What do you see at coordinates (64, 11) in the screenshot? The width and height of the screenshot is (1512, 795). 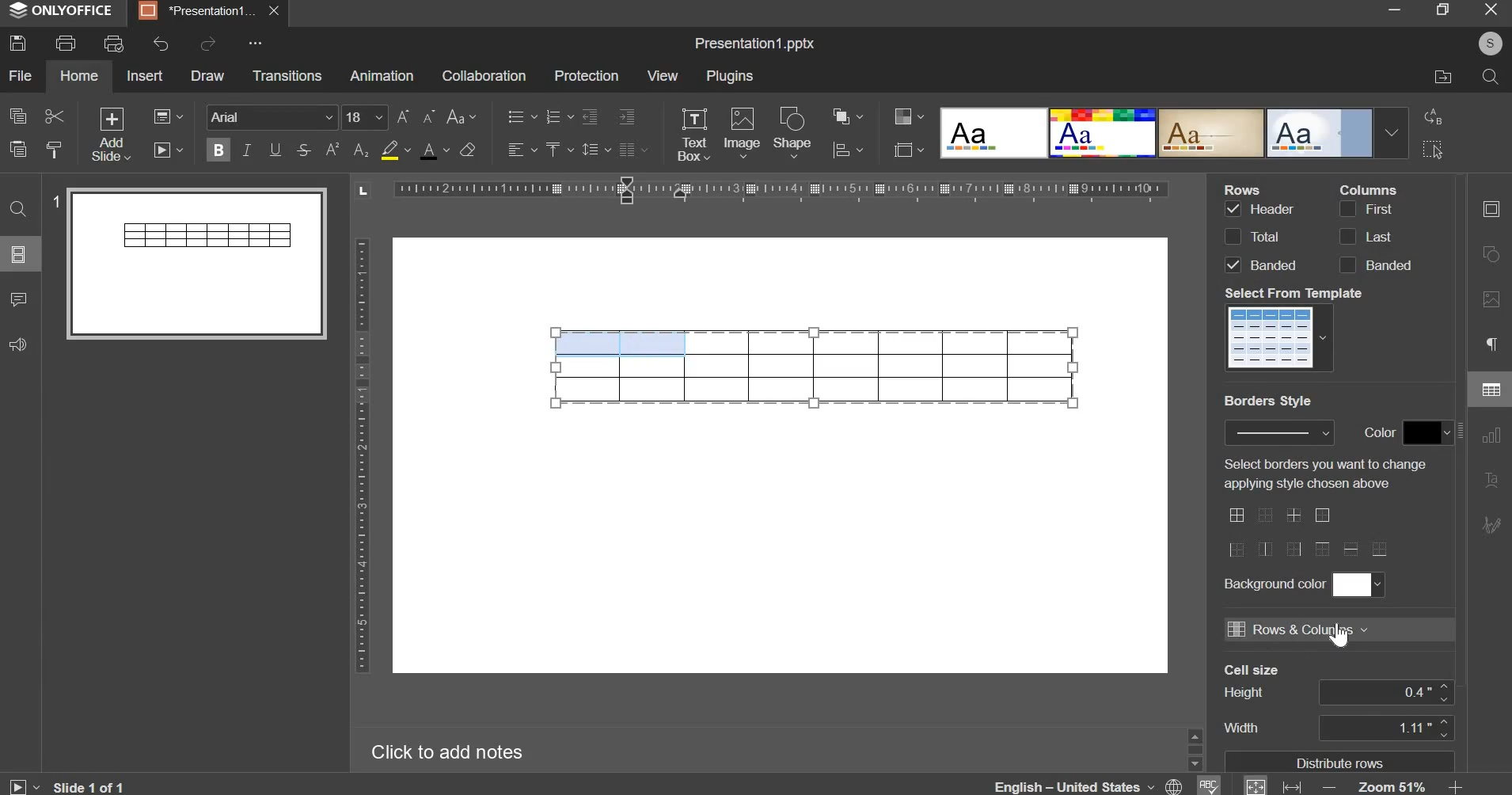 I see `ONLYOFFICE ` at bounding box center [64, 11].